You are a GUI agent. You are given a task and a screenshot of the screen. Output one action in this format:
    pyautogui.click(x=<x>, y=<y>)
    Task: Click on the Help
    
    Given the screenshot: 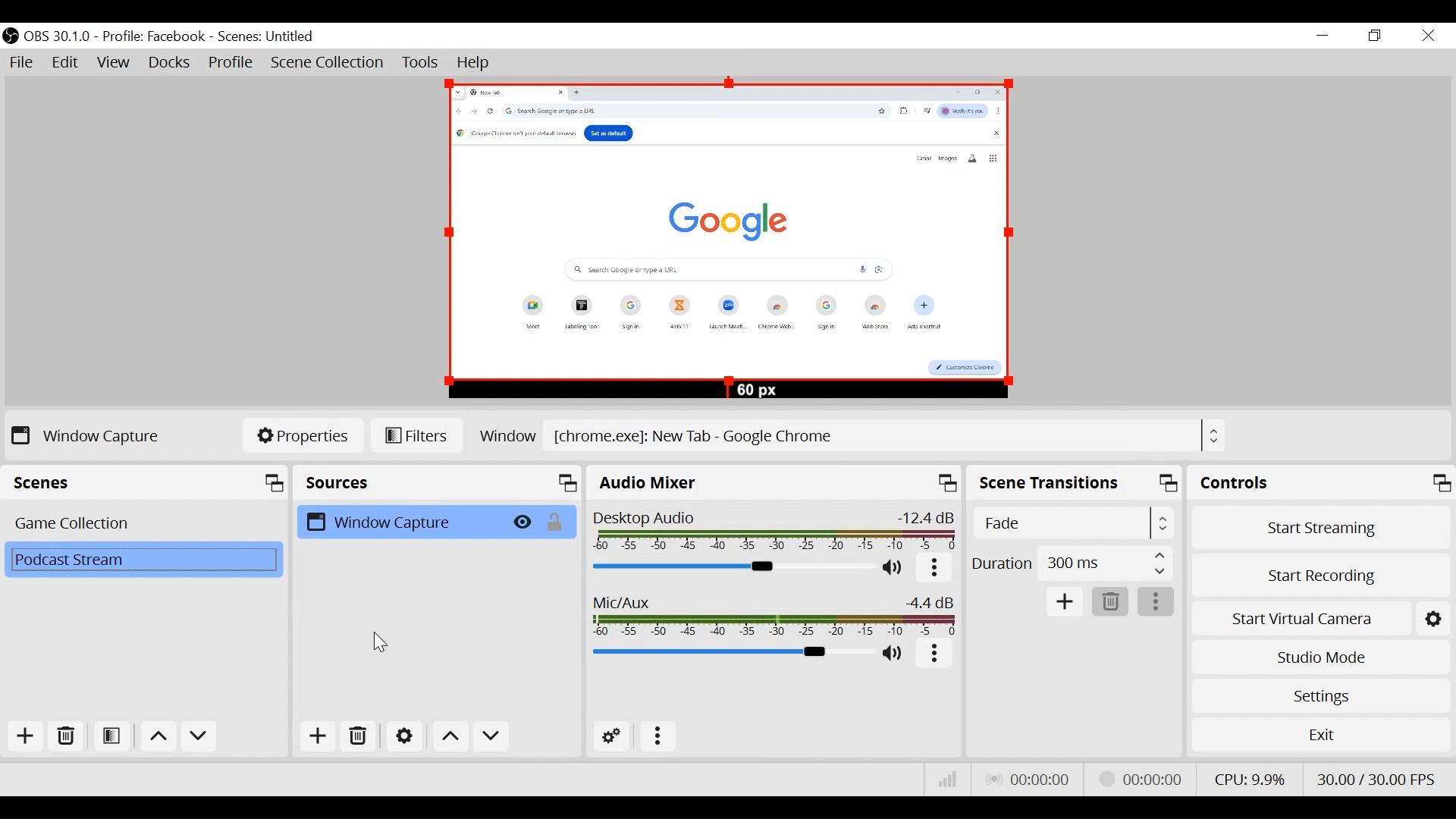 What is the action you would take?
    pyautogui.click(x=476, y=64)
    